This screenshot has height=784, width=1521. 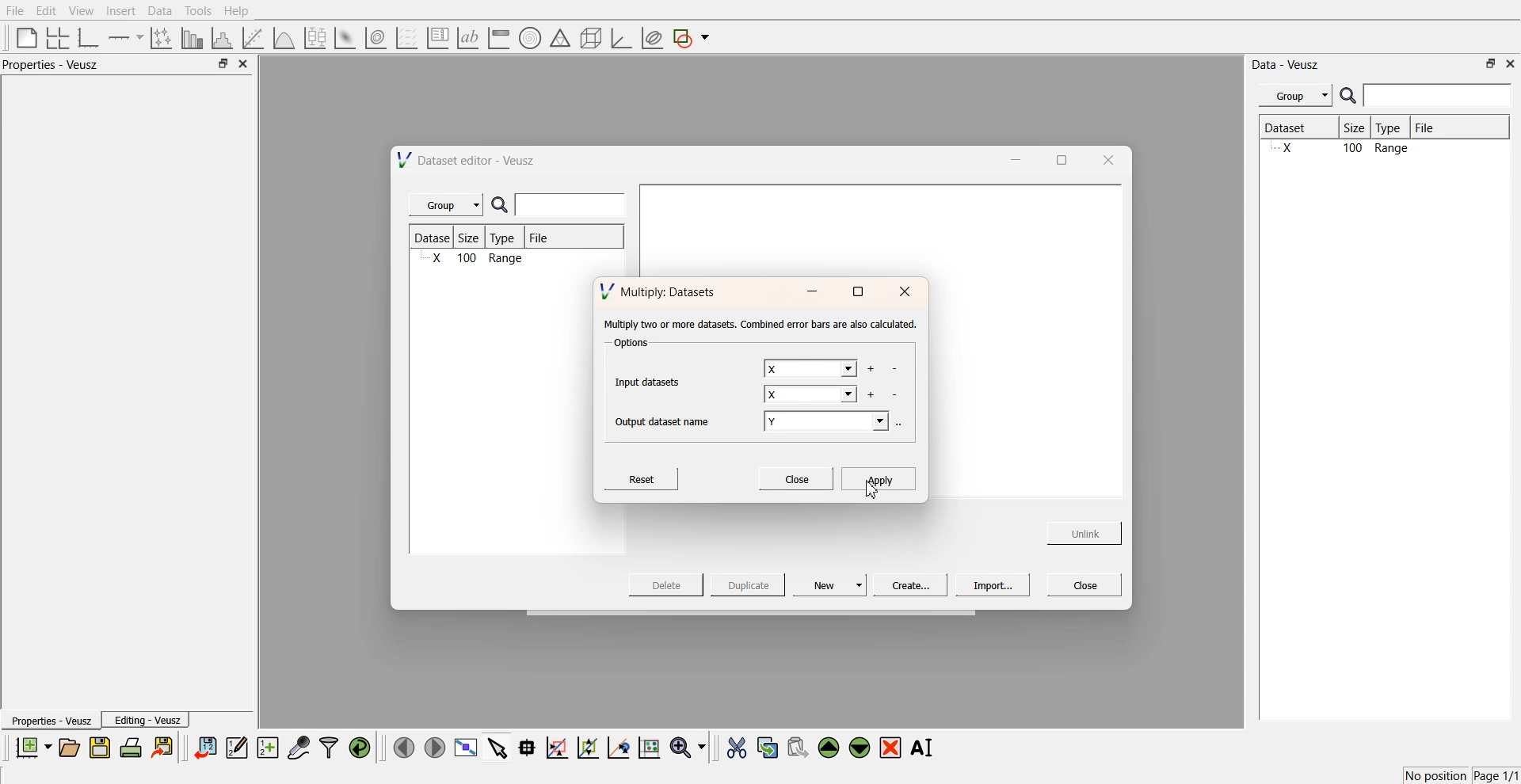 What do you see at coordinates (540, 240) in the screenshot?
I see `File` at bounding box center [540, 240].